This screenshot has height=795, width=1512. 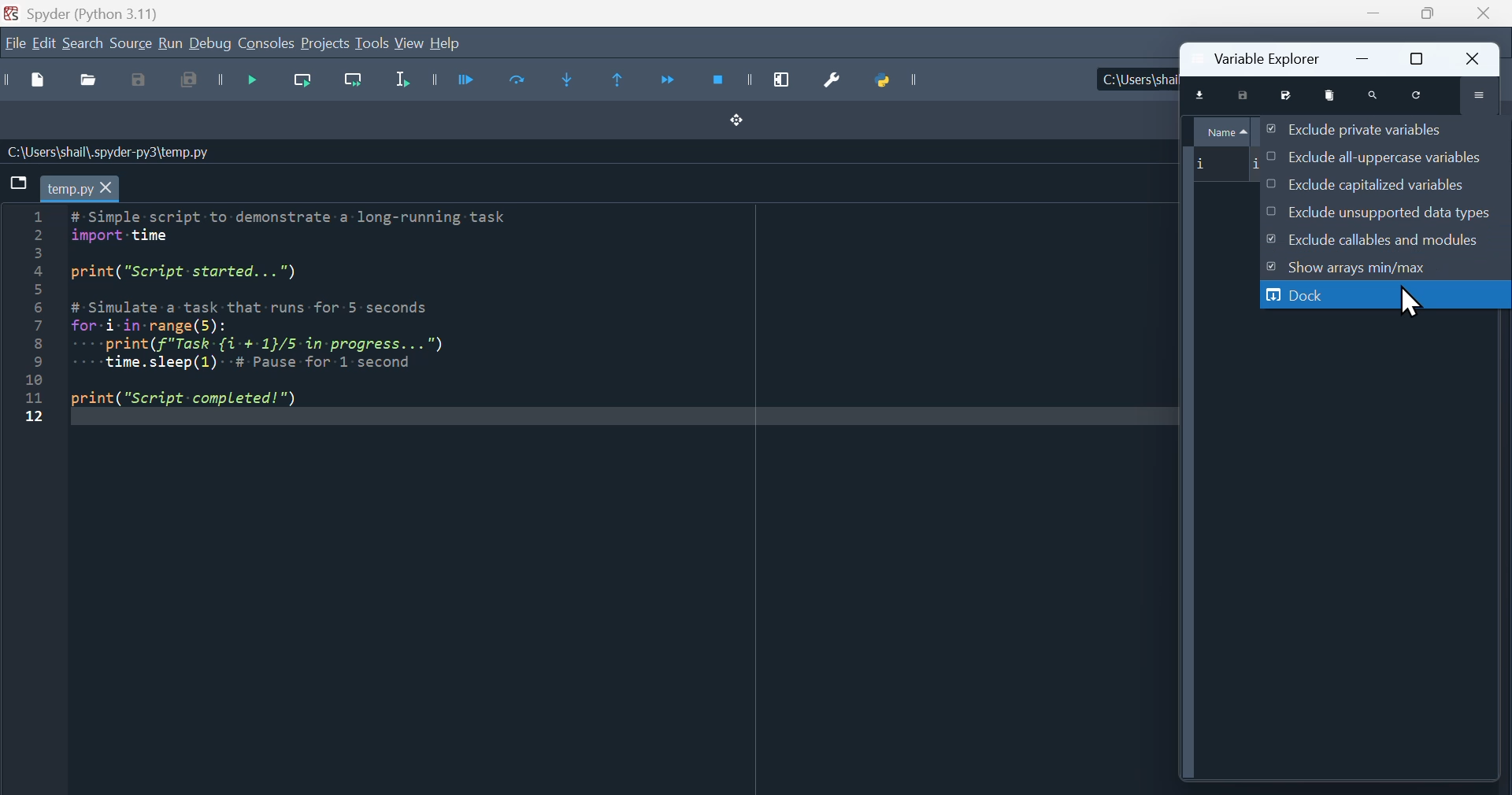 What do you see at coordinates (1417, 58) in the screenshot?
I see `restore` at bounding box center [1417, 58].